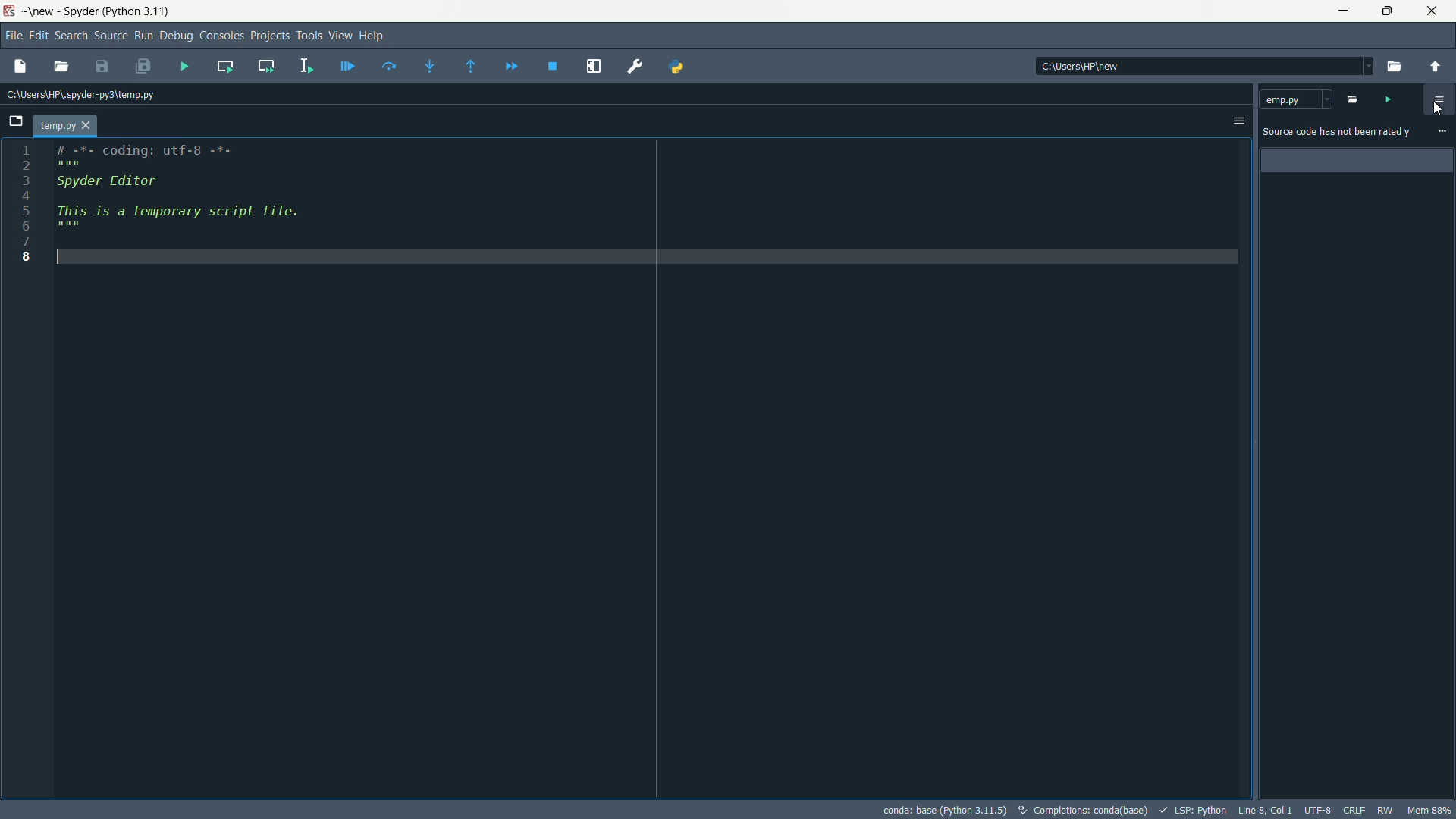 The height and width of the screenshot is (819, 1456). What do you see at coordinates (676, 67) in the screenshot?
I see `python path manager` at bounding box center [676, 67].